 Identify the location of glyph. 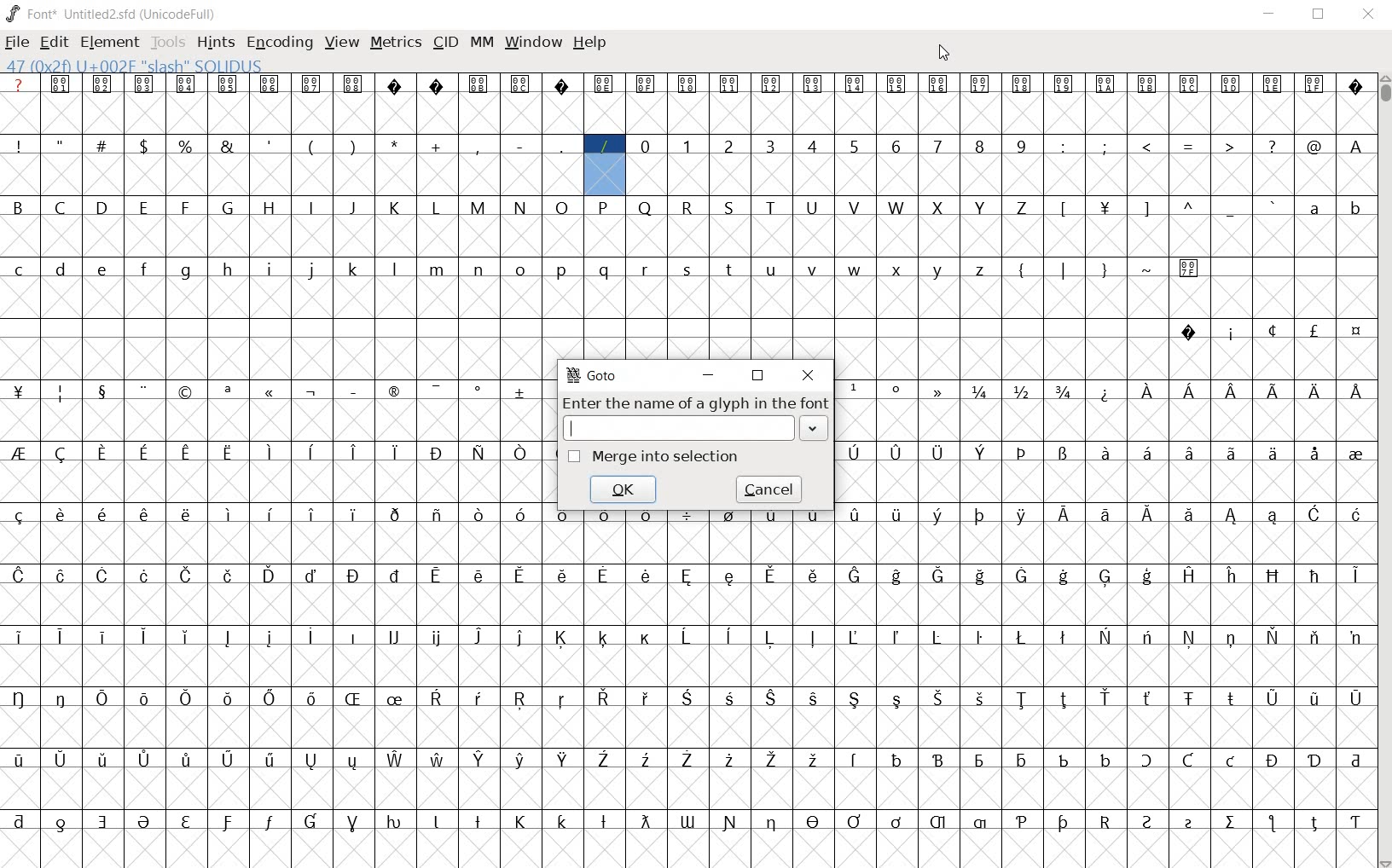
(102, 206).